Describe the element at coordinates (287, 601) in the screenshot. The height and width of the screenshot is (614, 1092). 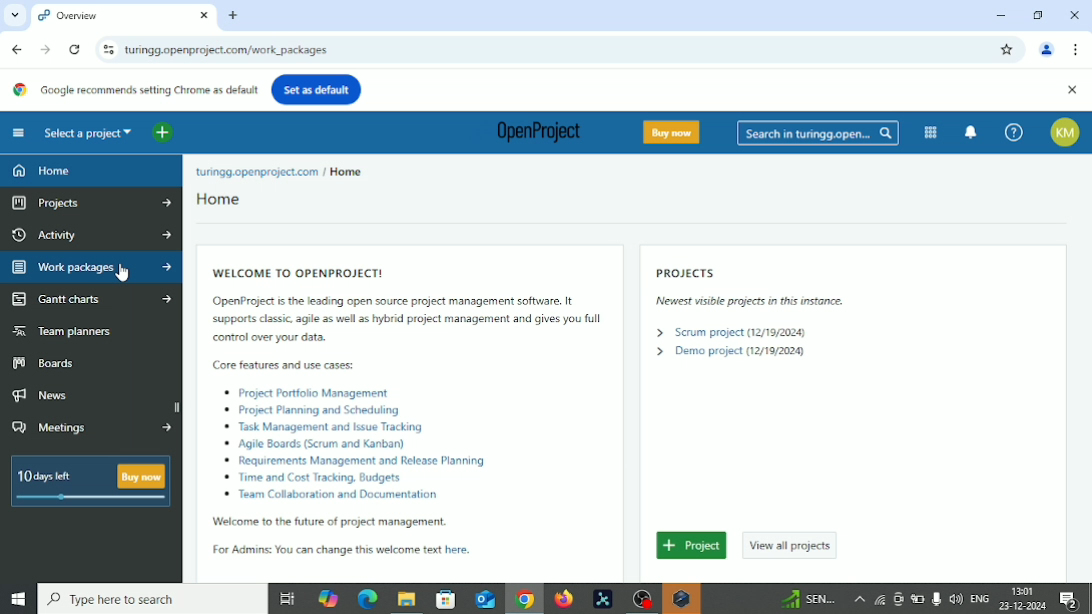
I see `Task view` at that location.